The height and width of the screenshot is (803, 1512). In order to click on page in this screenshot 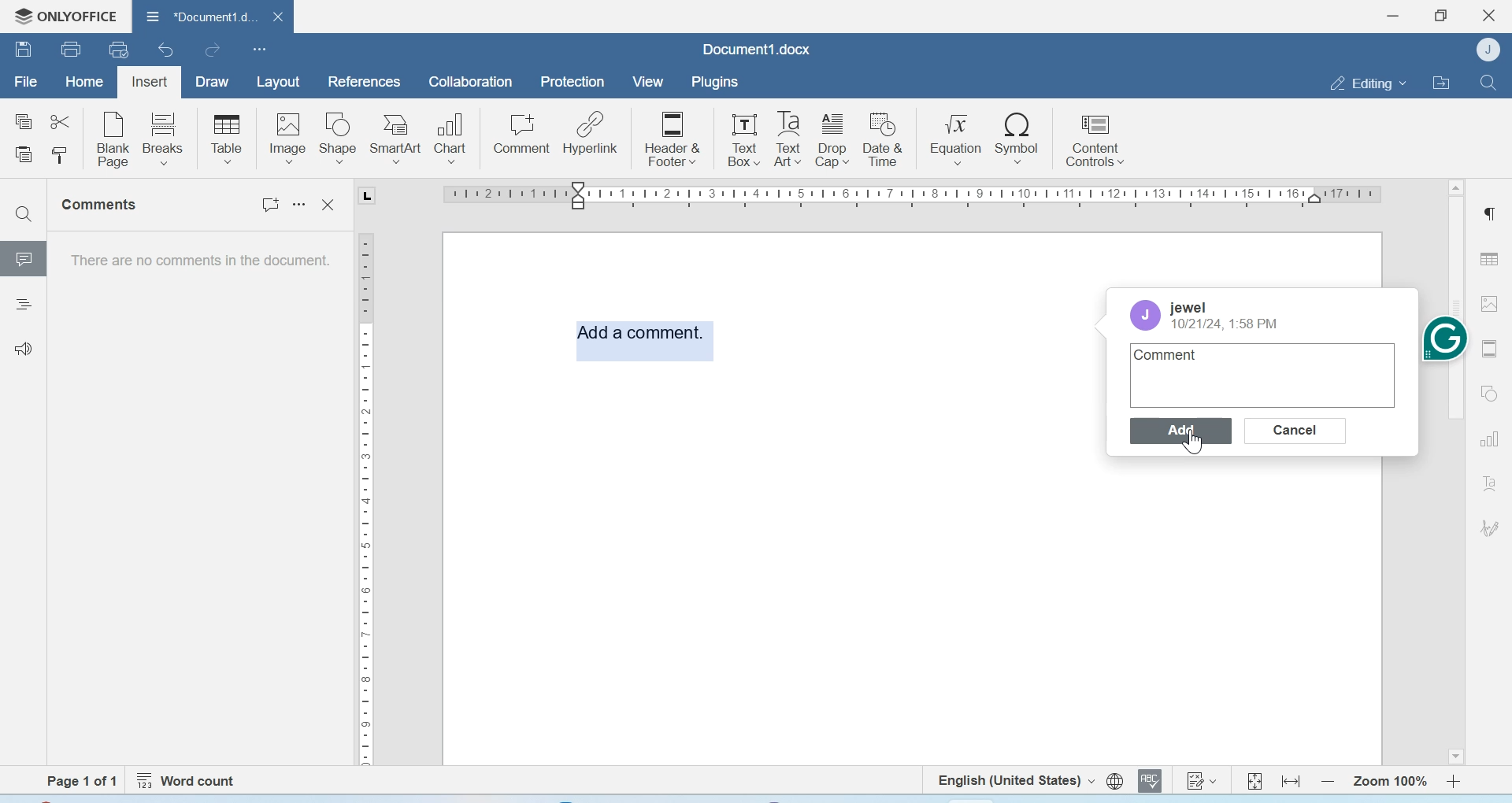, I will do `click(83, 781)`.